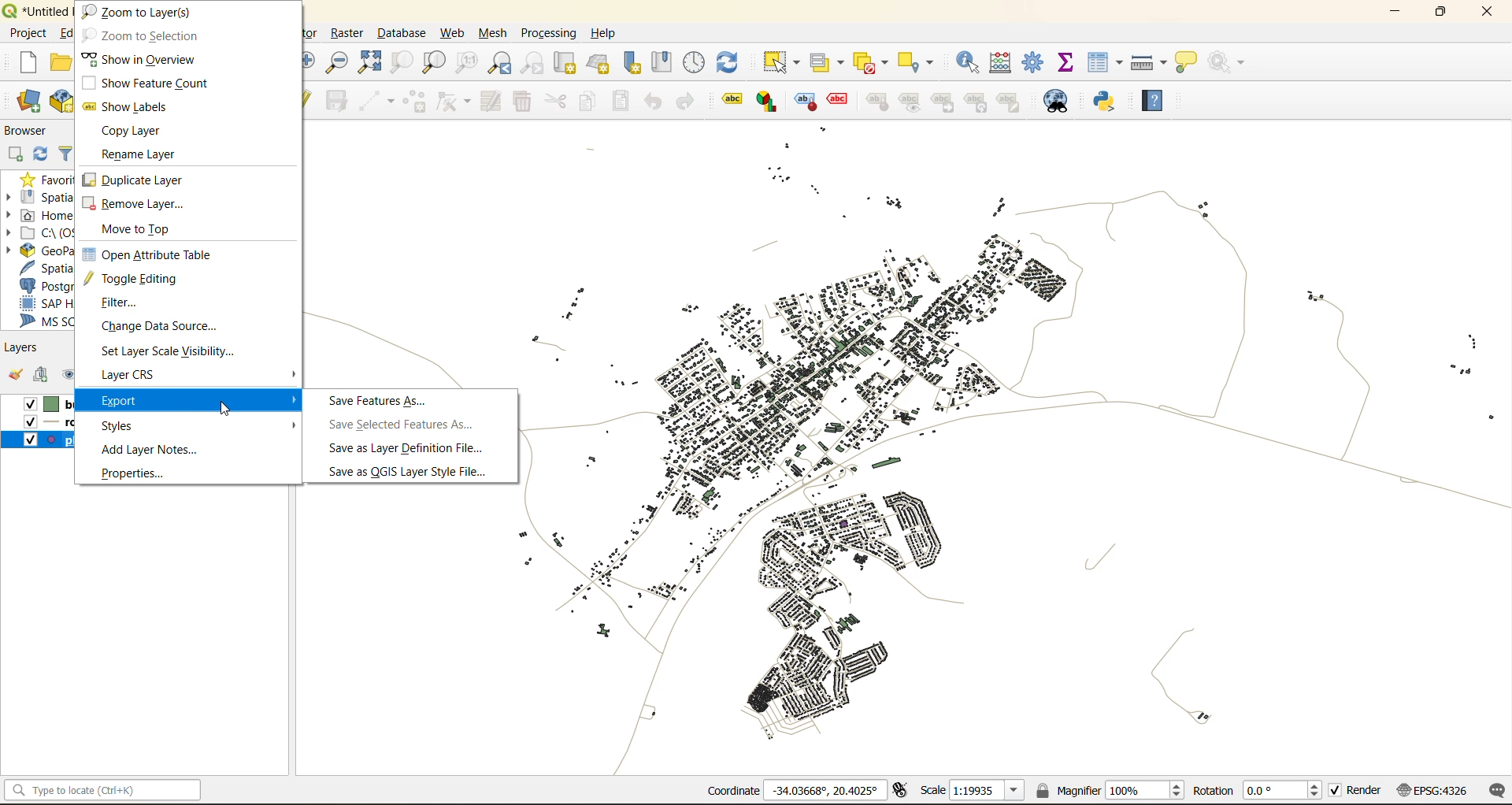  I want to click on calculator, so click(1008, 63).